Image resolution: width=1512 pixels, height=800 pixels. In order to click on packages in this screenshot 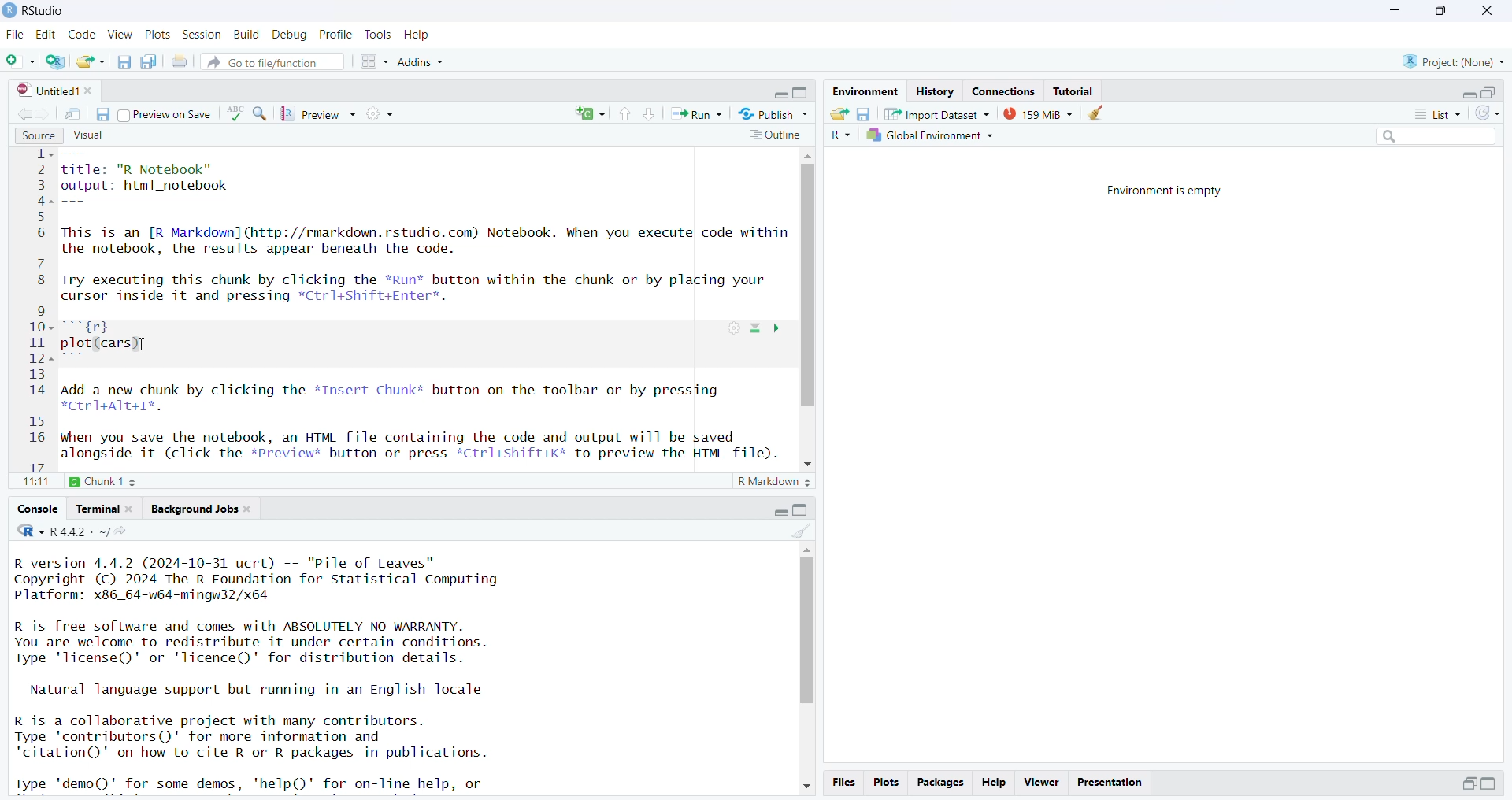, I will do `click(941, 782)`.